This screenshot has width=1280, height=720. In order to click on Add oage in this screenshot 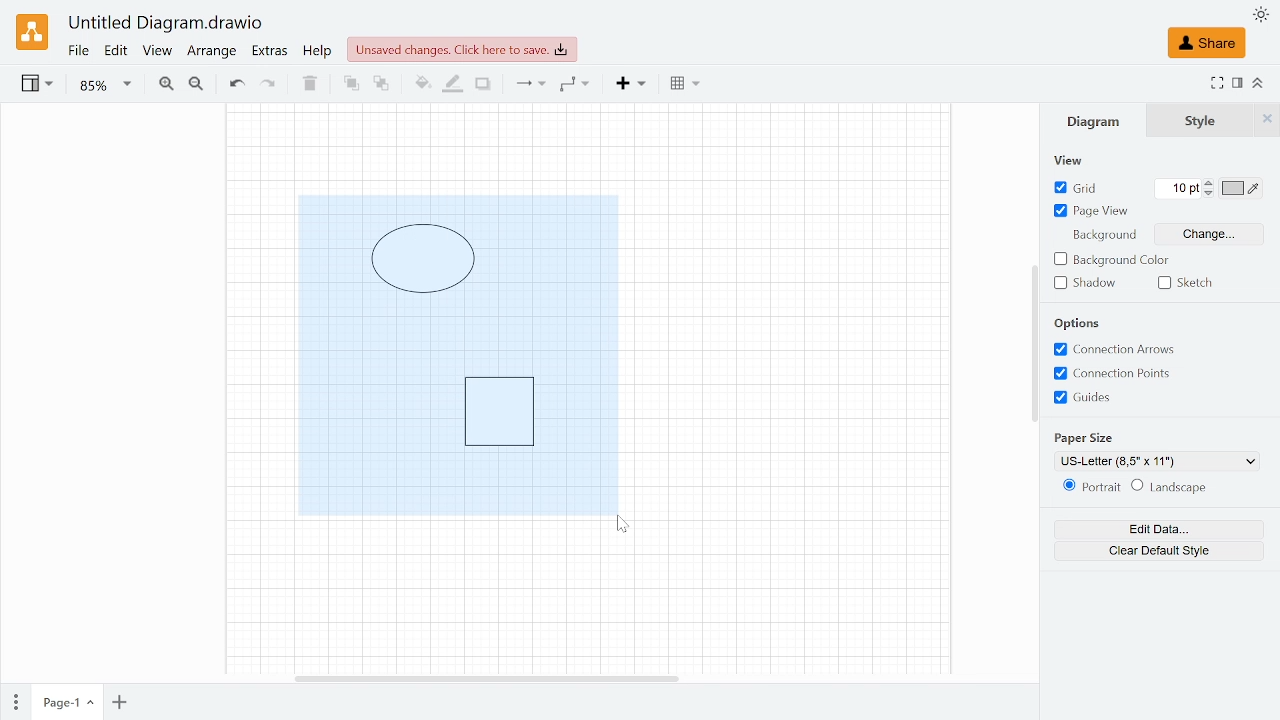, I will do `click(119, 704)`.